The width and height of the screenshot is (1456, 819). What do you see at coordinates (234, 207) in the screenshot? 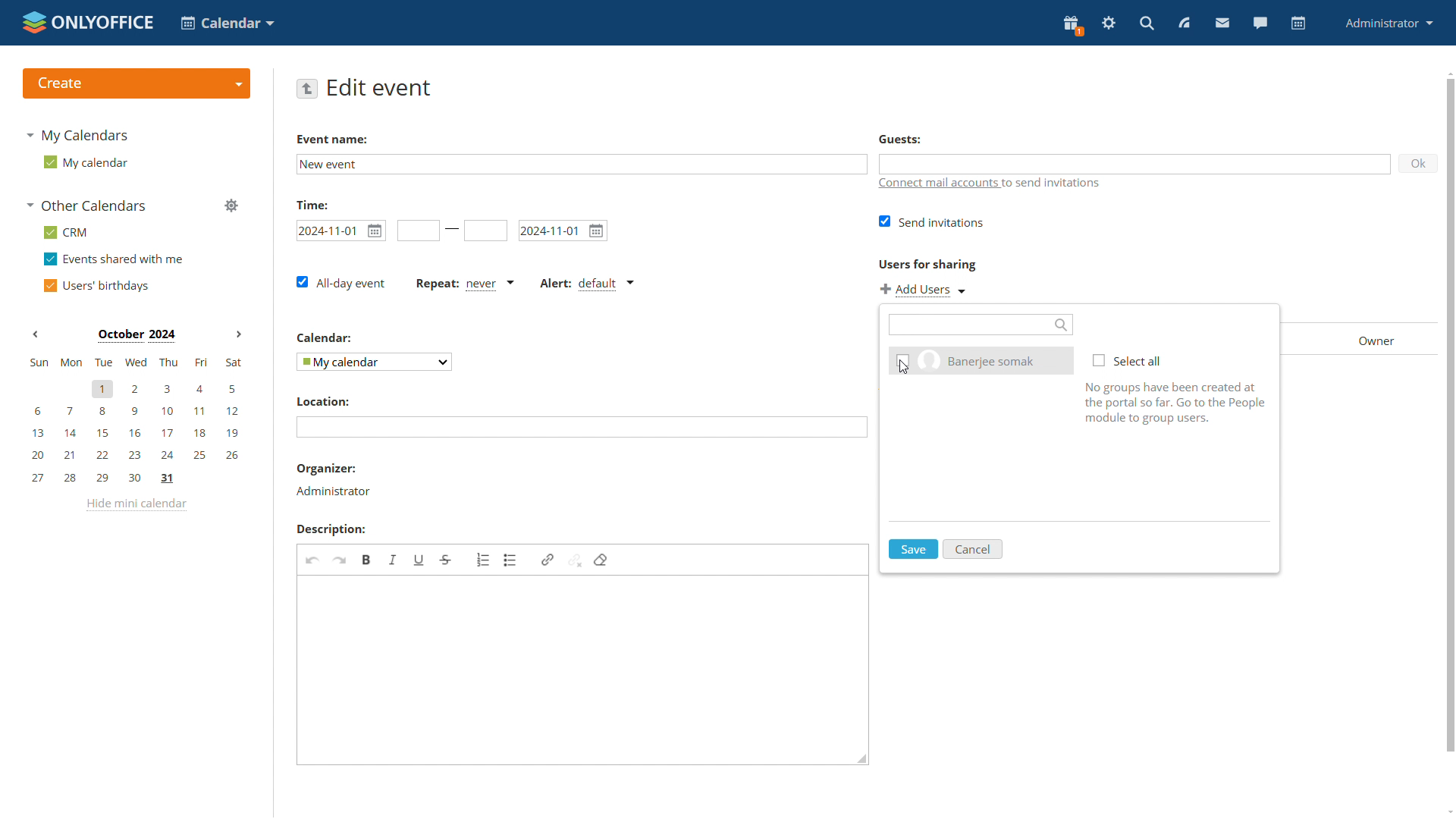
I see `manage` at bounding box center [234, 207].